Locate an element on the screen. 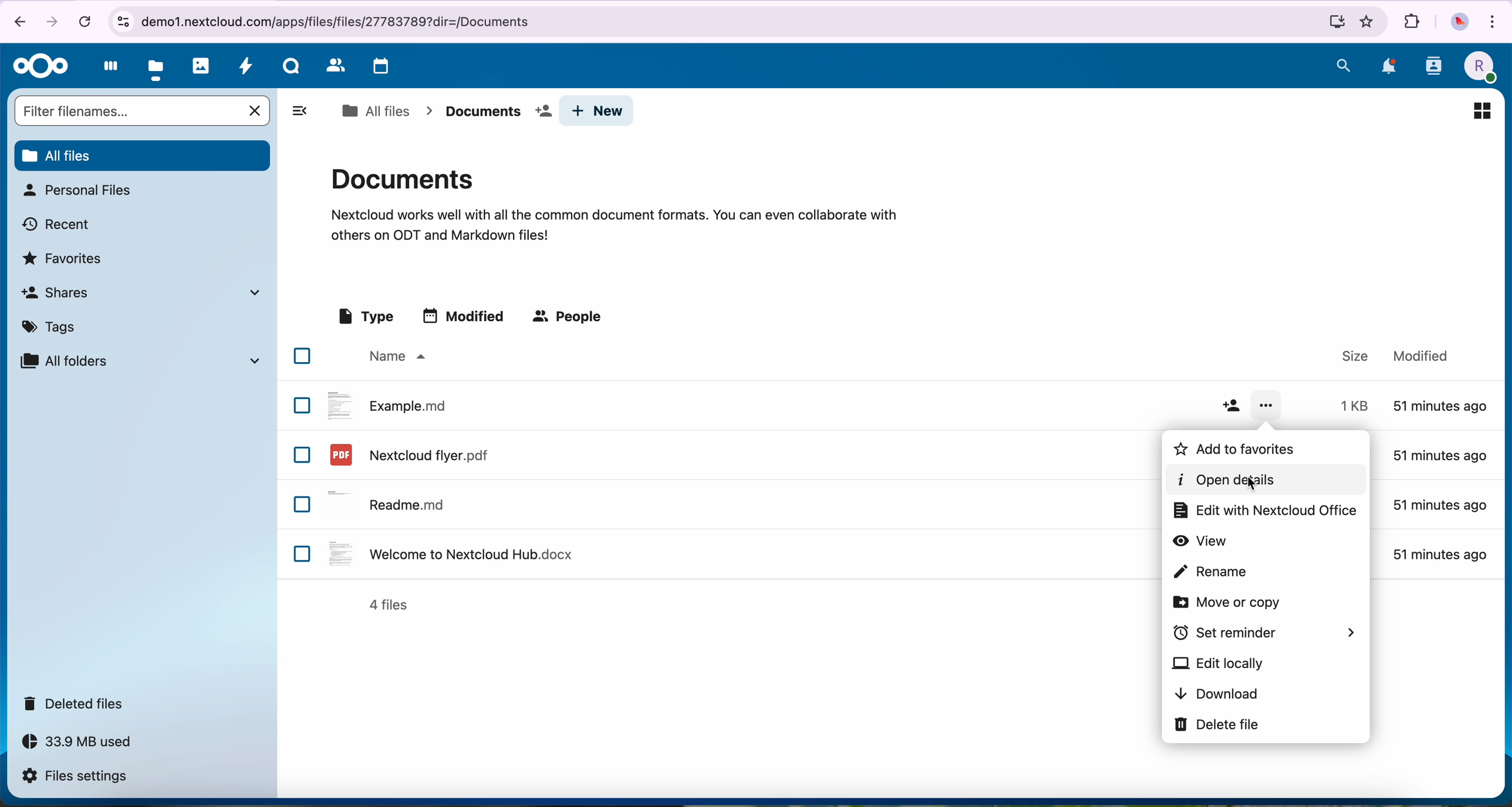  photos is located at coordinates (201, 66).